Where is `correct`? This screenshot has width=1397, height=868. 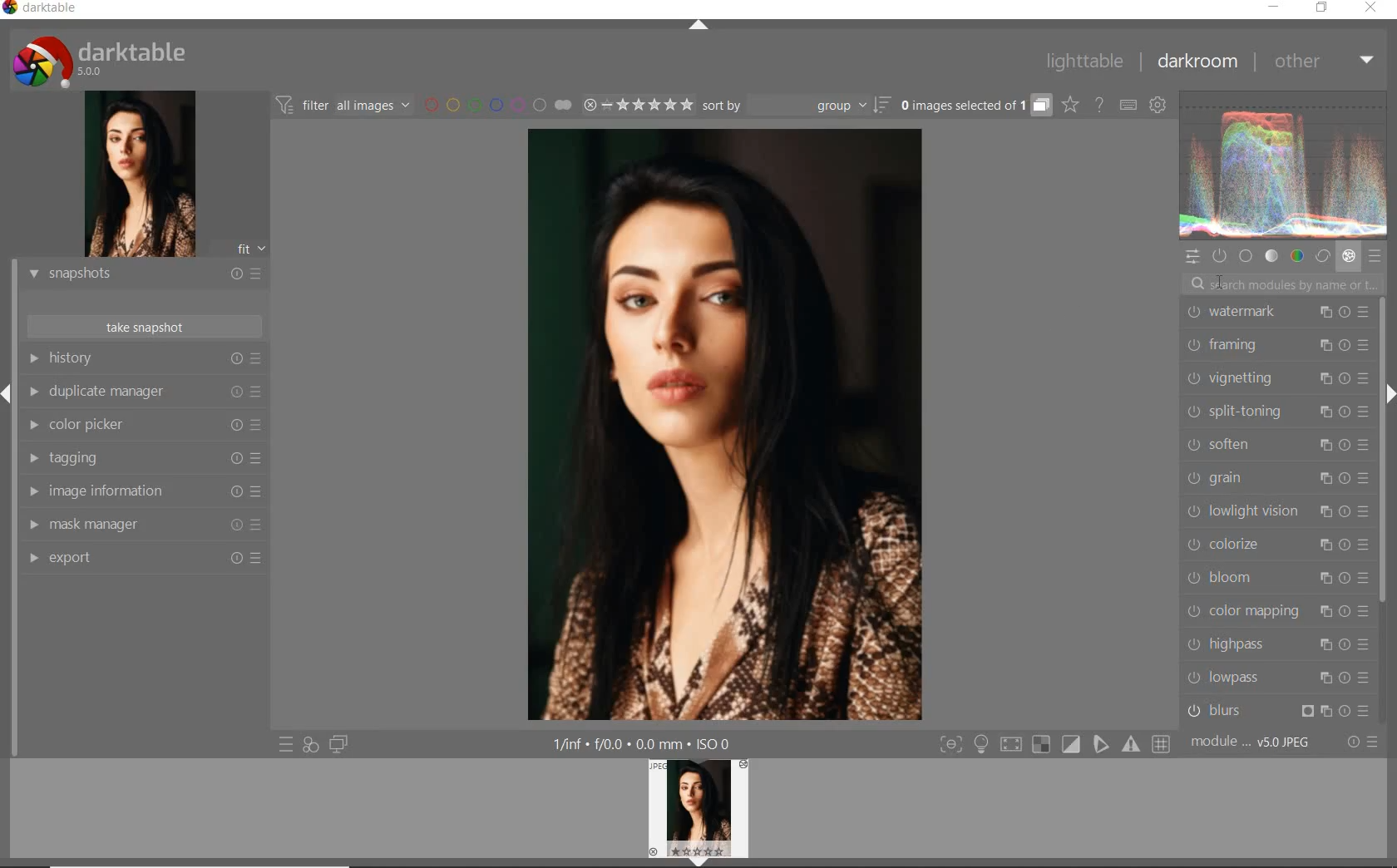 correct is located at coordinates (1323, 257).